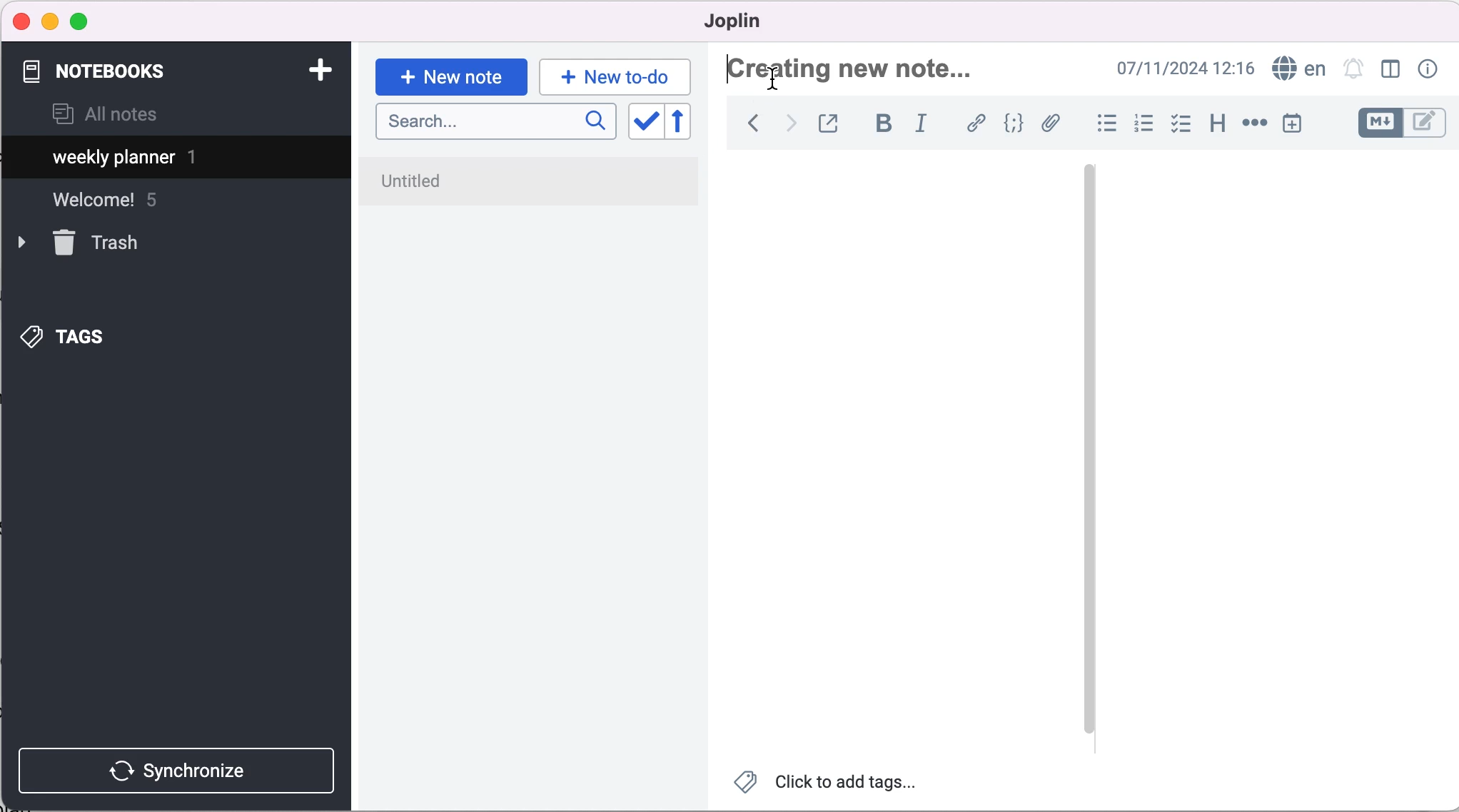  Describe the element at coordinates (1430, 68) in the screenshot. I see `properties note` at that location.